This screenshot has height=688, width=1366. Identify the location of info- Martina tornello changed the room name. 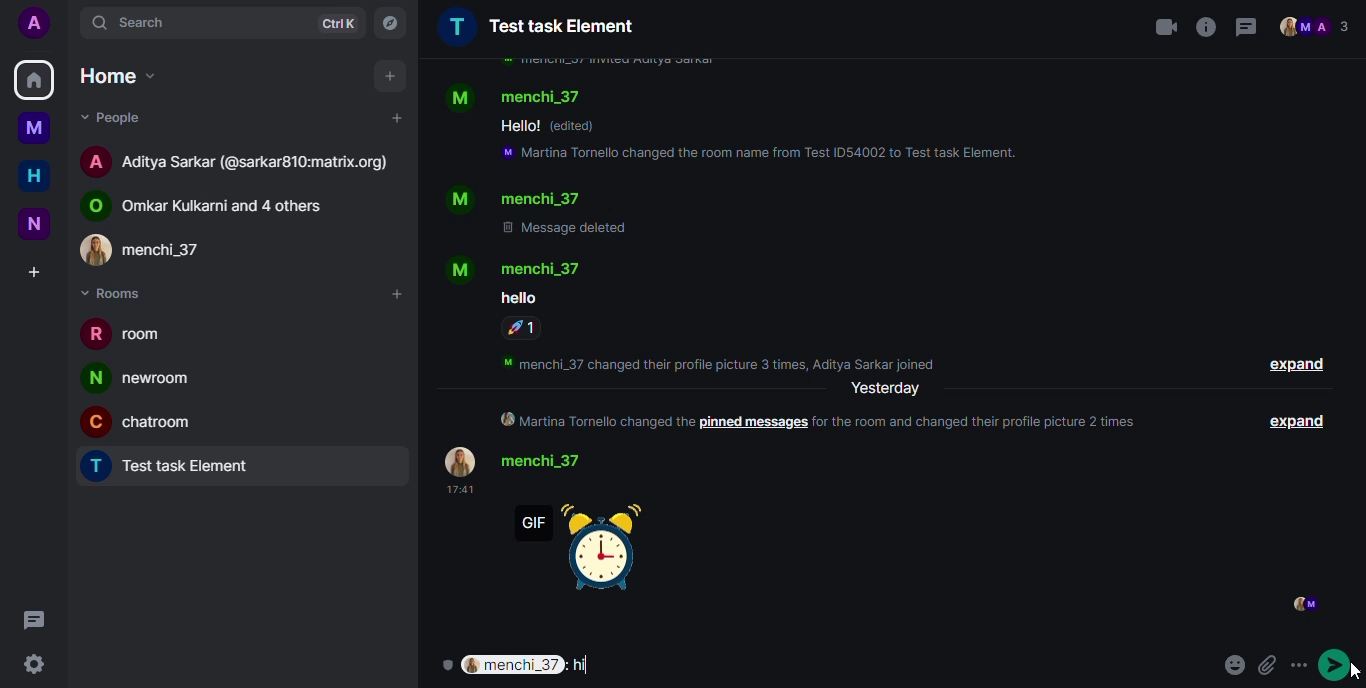
(758, 154).